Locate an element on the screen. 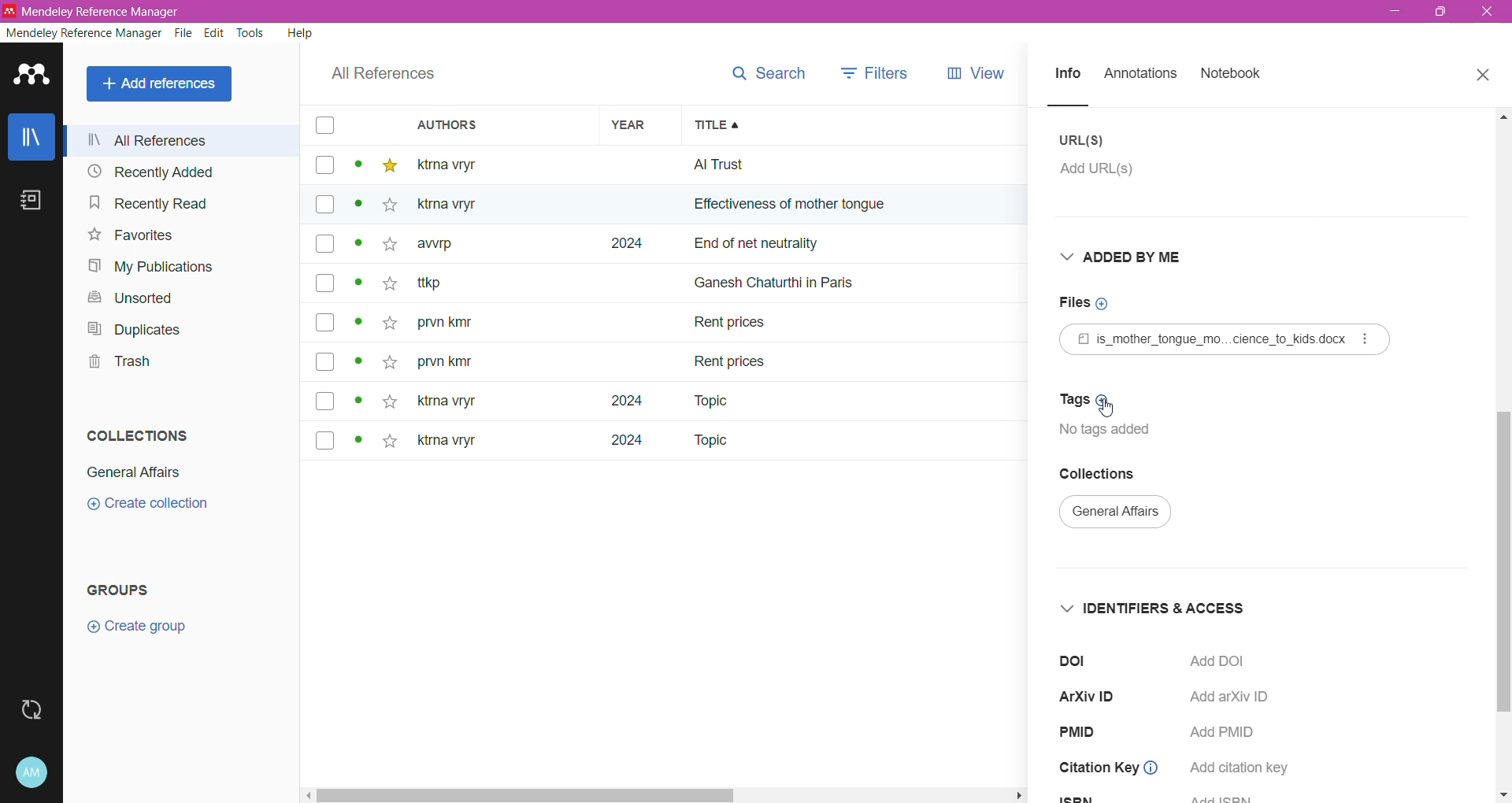  Horizontal Scroll Bar is located at coordinates (666, 794).